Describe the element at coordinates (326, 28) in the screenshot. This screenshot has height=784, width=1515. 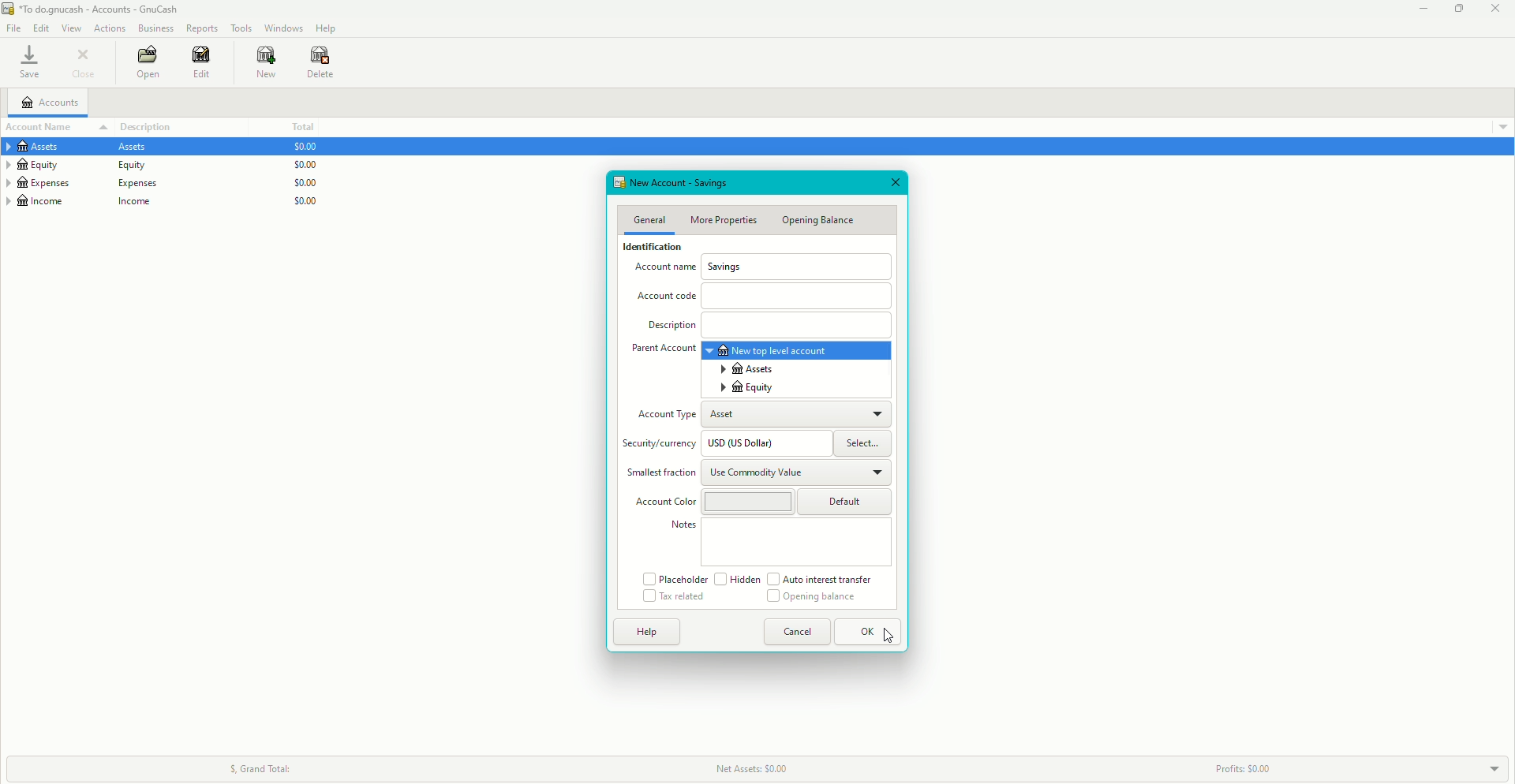
I see `Help` at that location.